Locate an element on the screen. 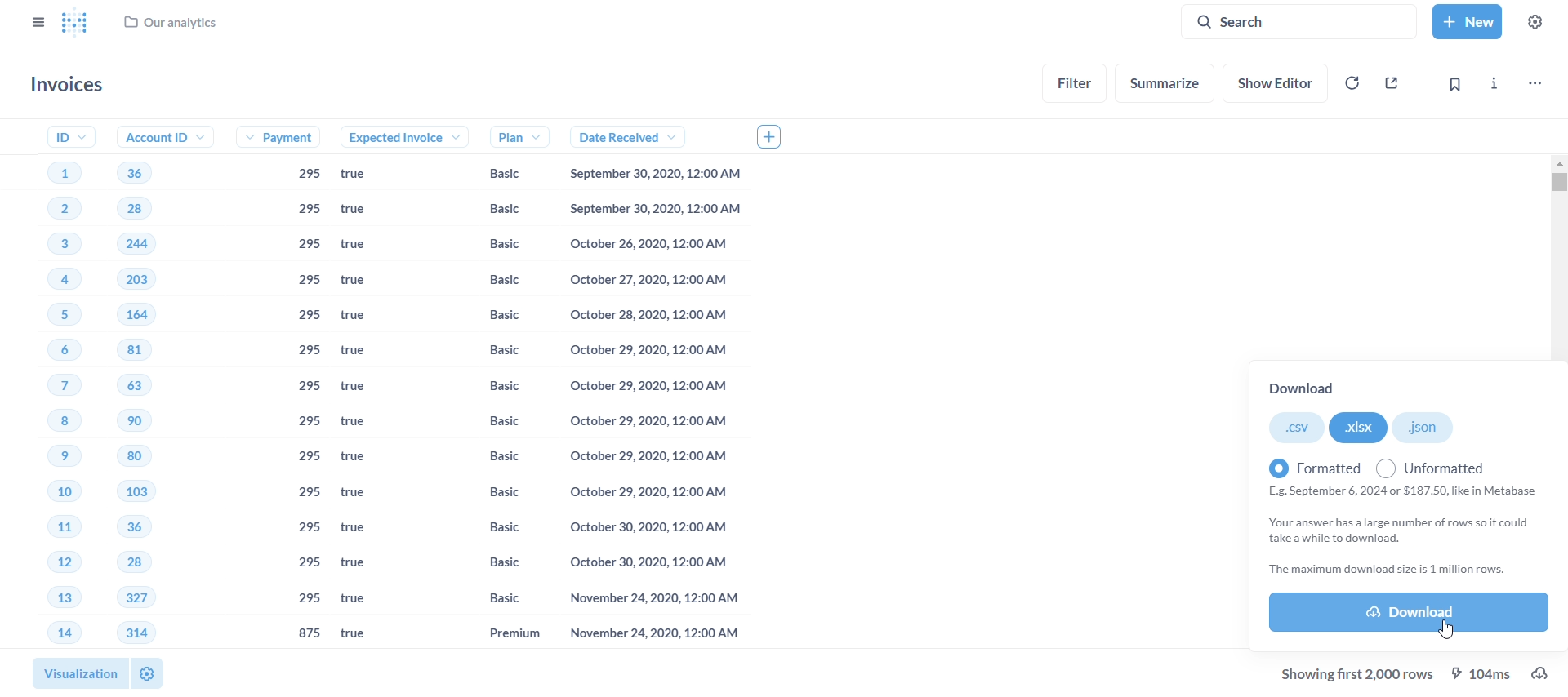 Image resolution: width=1568 pixels, height=697 pixels. expected voice is located at coordinates (388, 137).